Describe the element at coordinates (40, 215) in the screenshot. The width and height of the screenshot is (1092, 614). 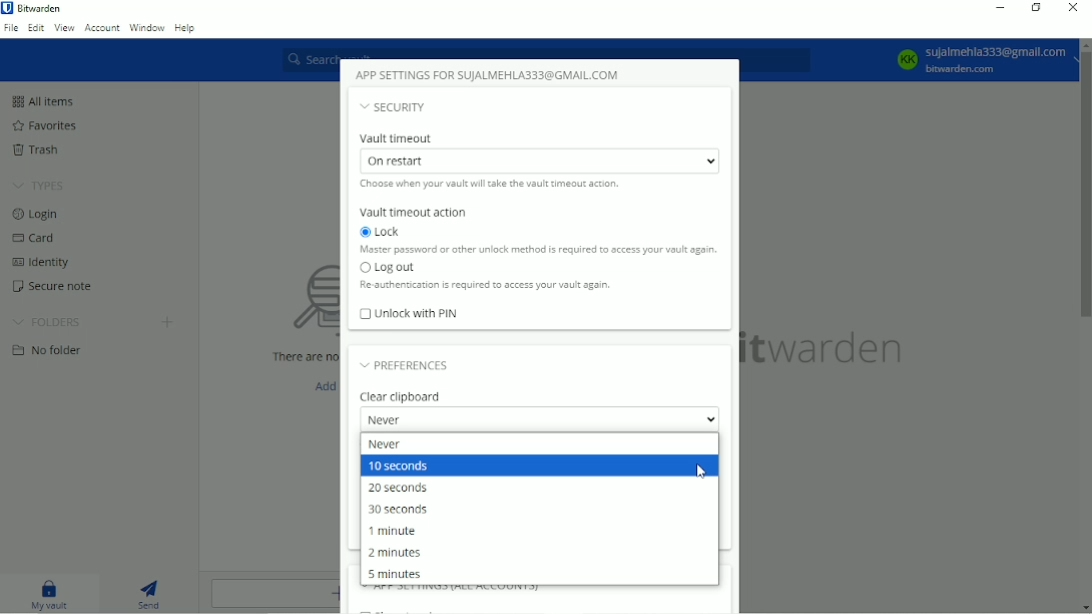
I see `Login` at that location.